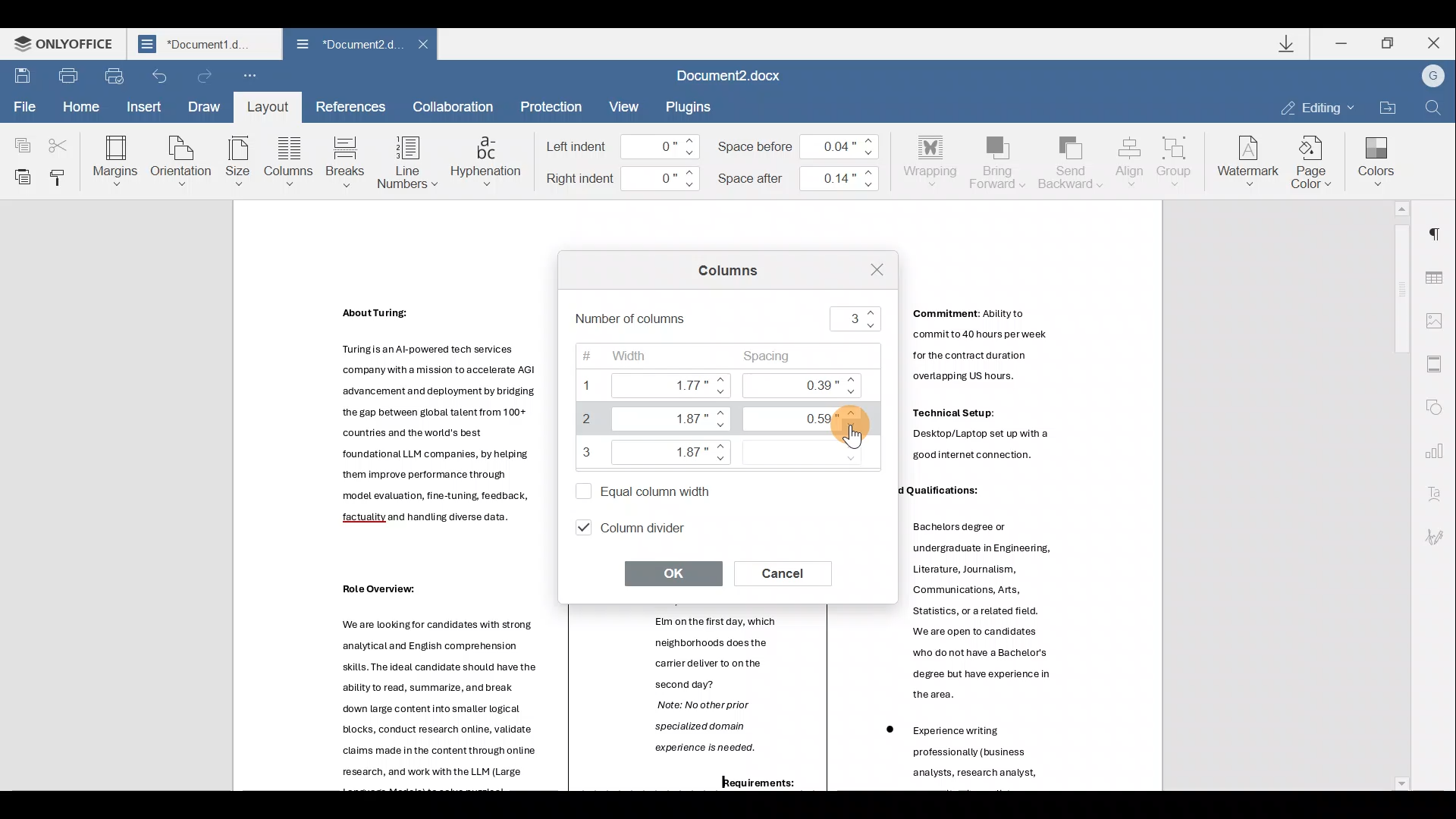  Describe the element at coordinates (870, 268) in the screenshot. I see `Close` at that location.